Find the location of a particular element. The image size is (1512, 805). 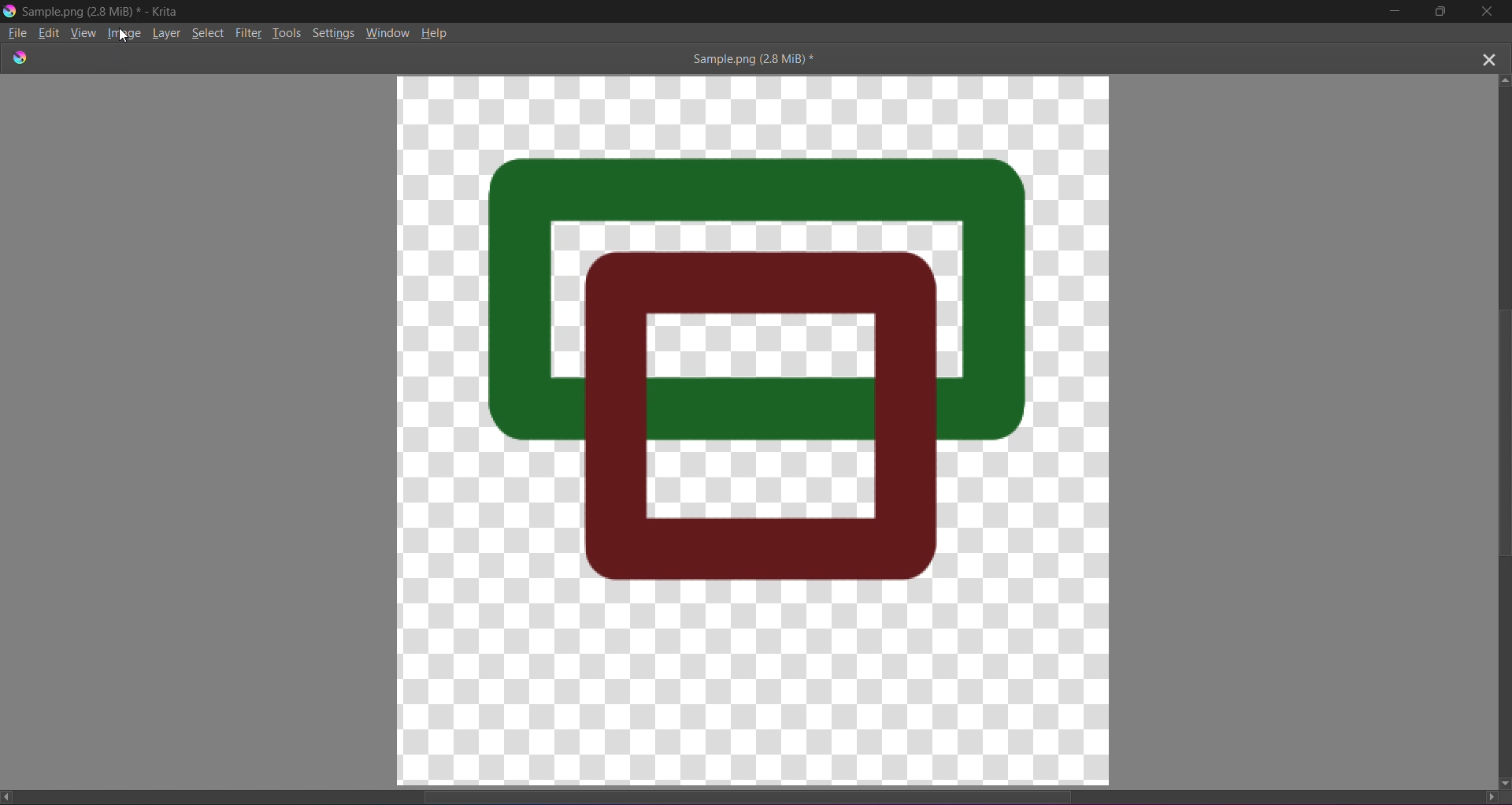

View is located at coordinates (83, 34).